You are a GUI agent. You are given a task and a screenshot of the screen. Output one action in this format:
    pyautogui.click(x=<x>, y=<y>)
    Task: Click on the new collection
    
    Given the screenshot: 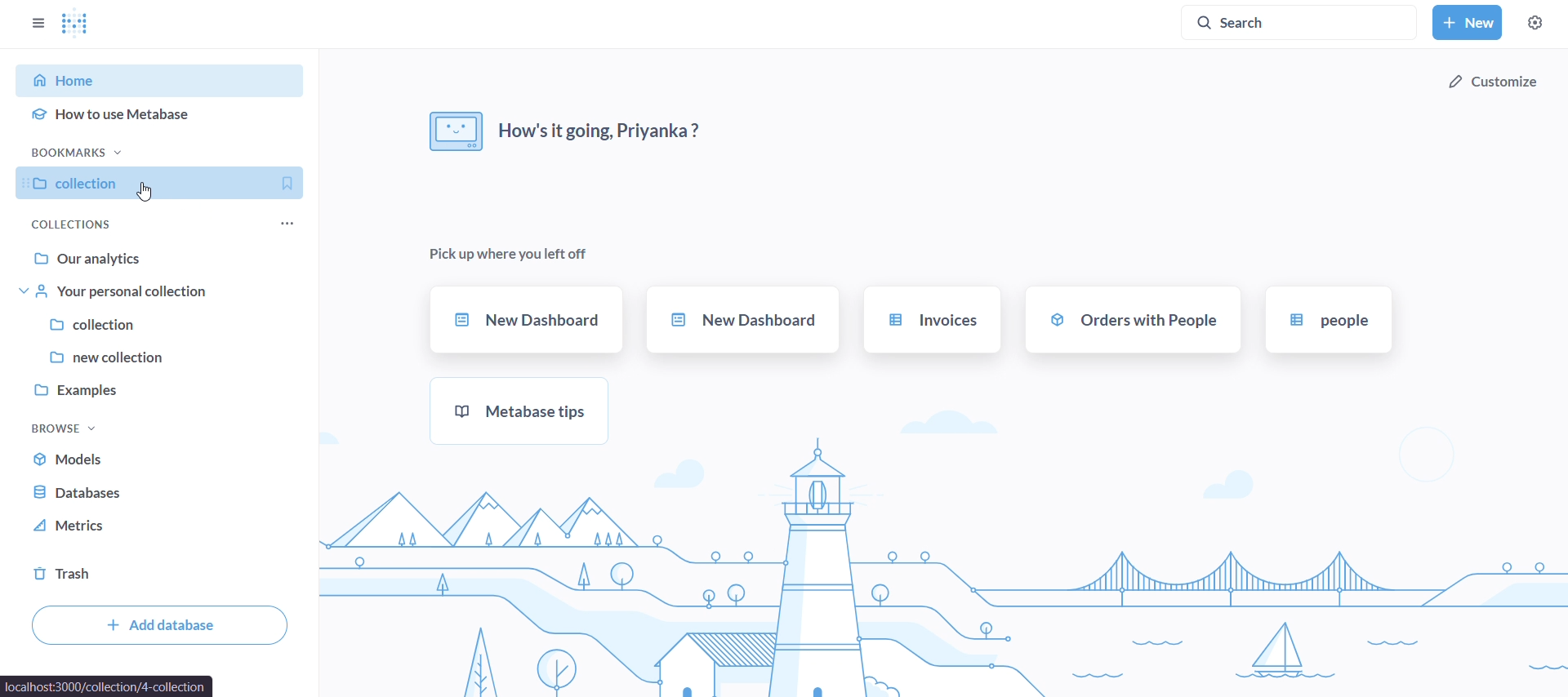 What is the action you would take?
    pyautogui.click(x=160, y=354)
    